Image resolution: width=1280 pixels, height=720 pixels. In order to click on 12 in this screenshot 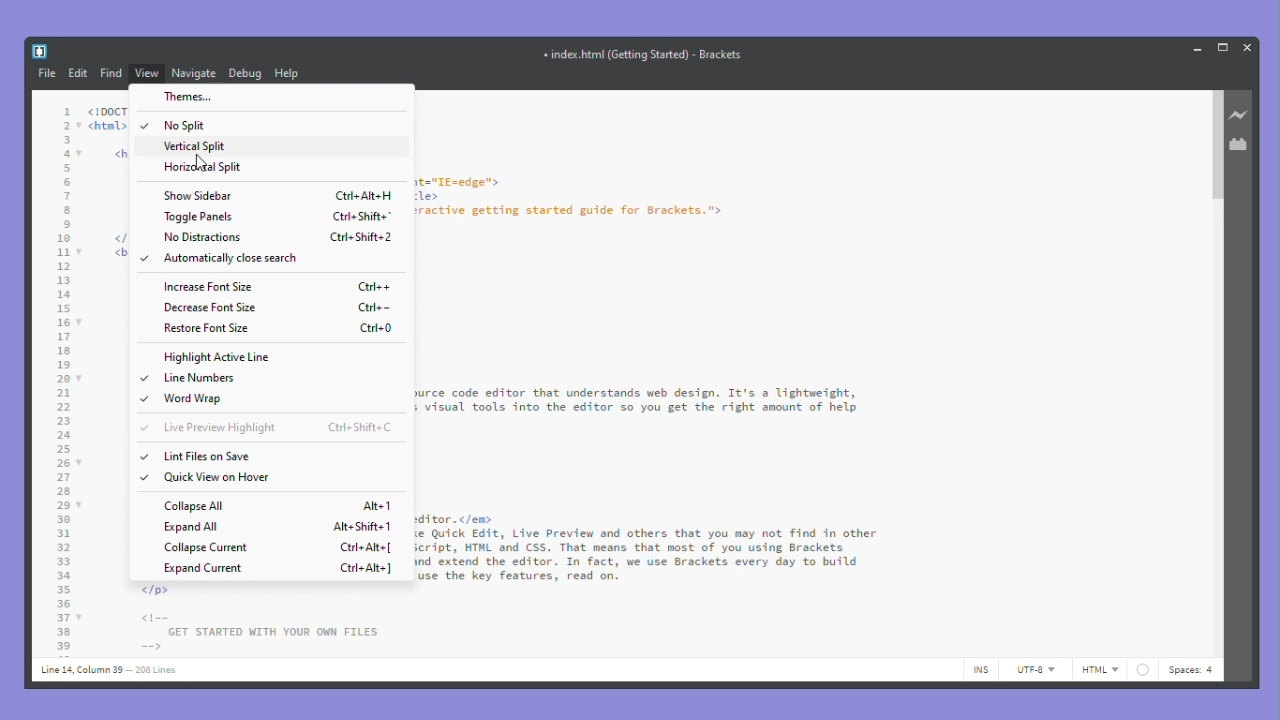, I will do `click(63, 266)`.